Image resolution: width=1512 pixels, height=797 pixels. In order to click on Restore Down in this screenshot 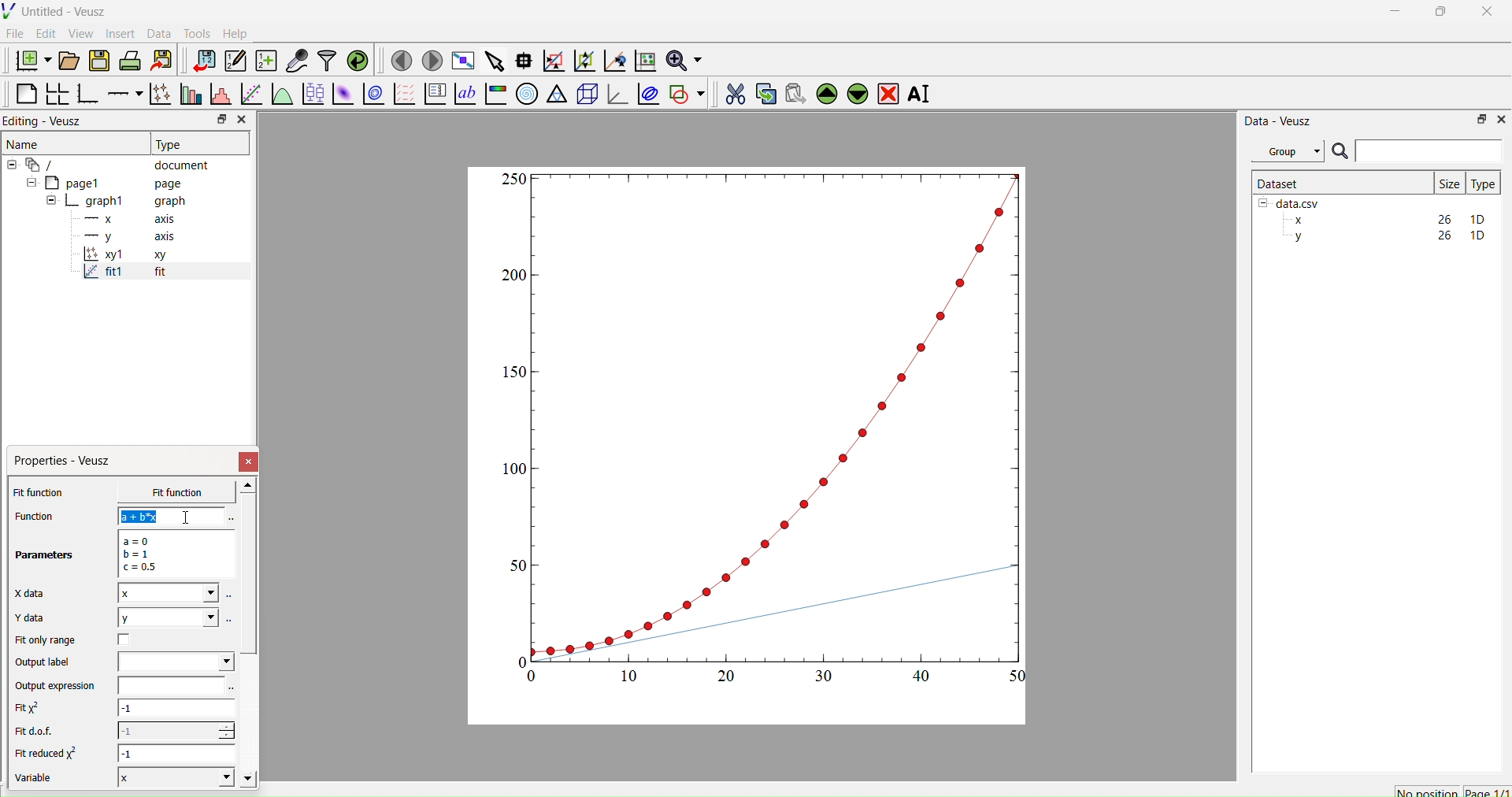, I will do `click(1437, 13)`.